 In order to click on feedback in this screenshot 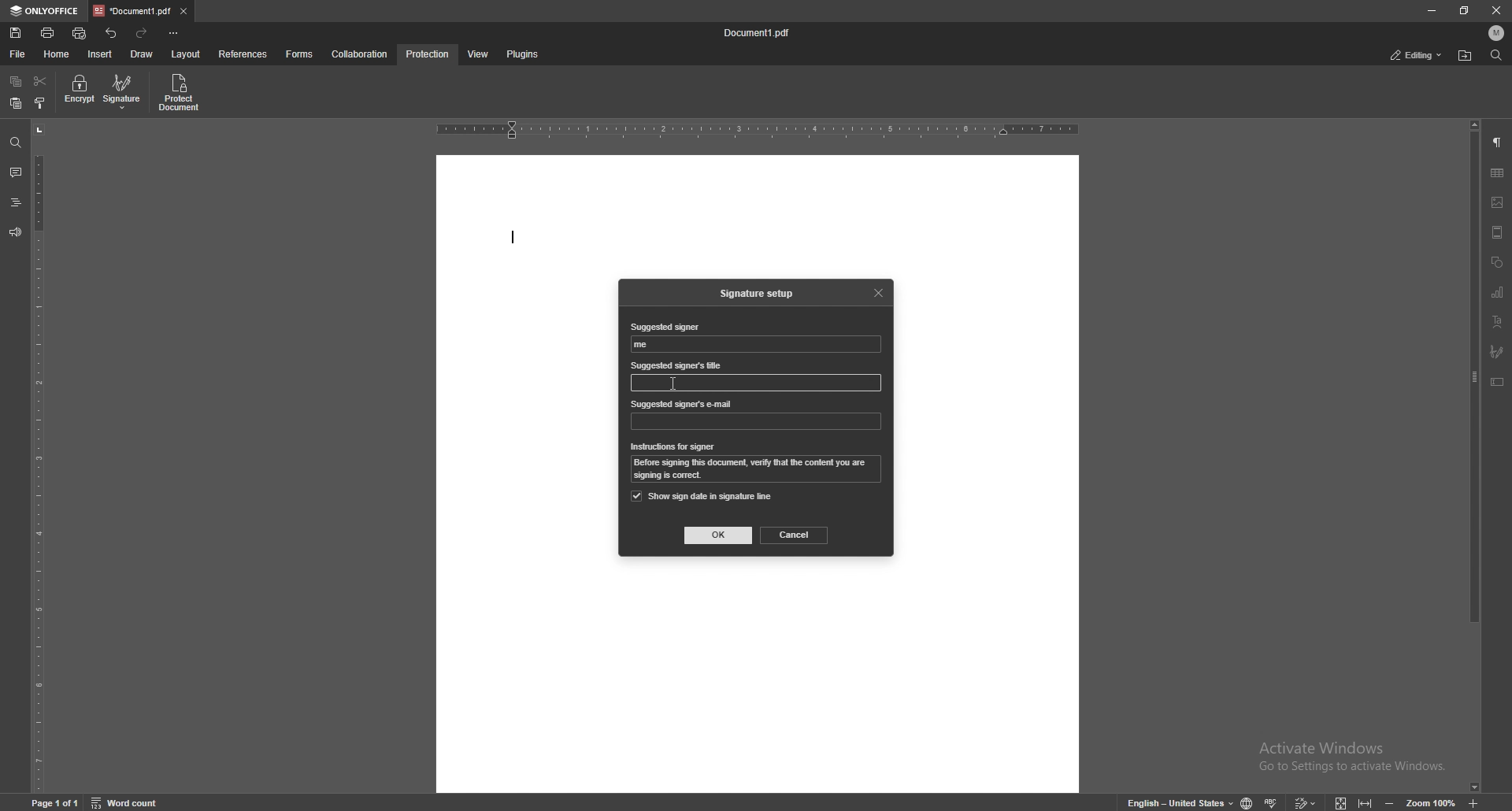, I will do `click(14, 232)`.